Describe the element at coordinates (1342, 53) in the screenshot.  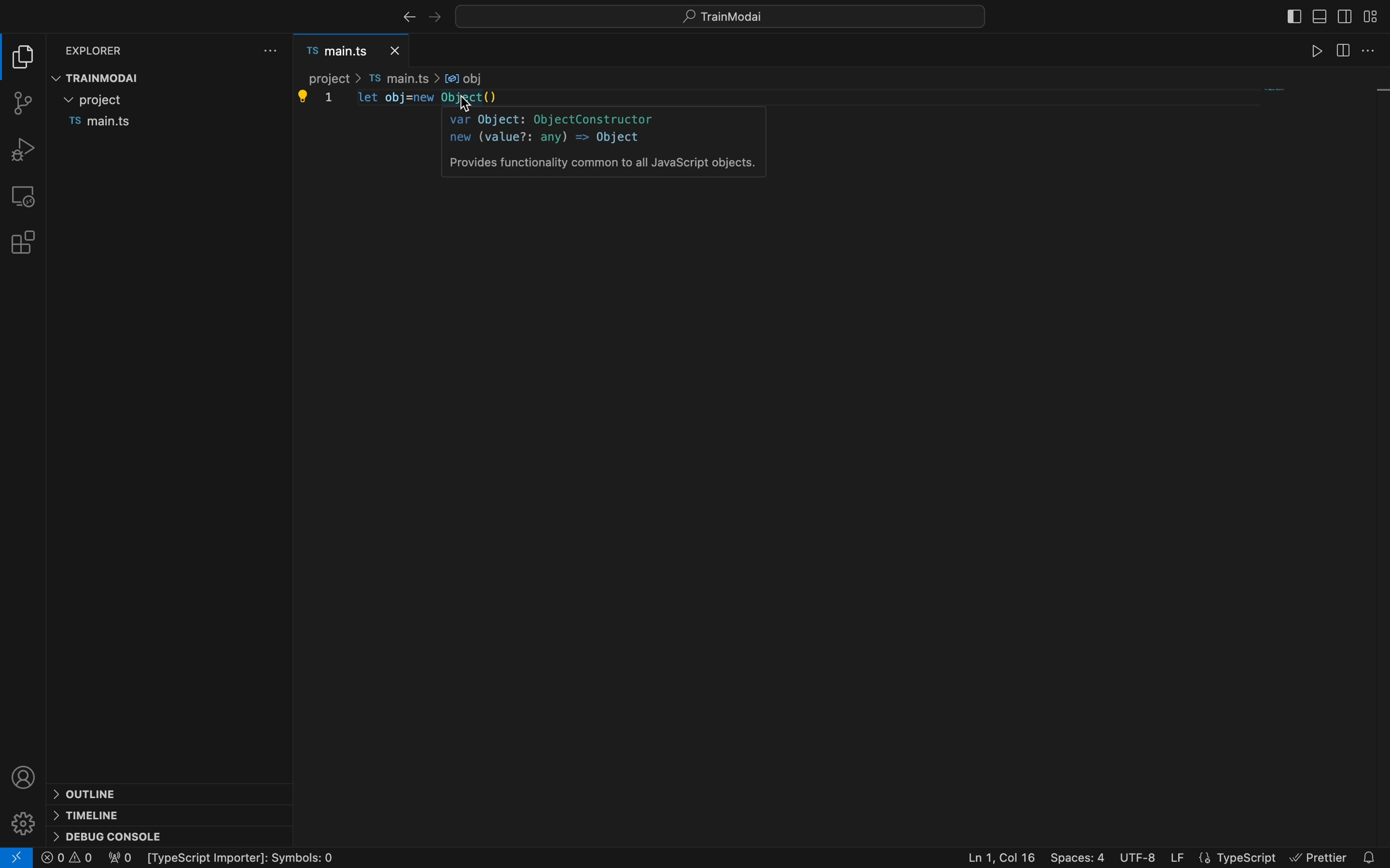
I see `sidebar` at that location.